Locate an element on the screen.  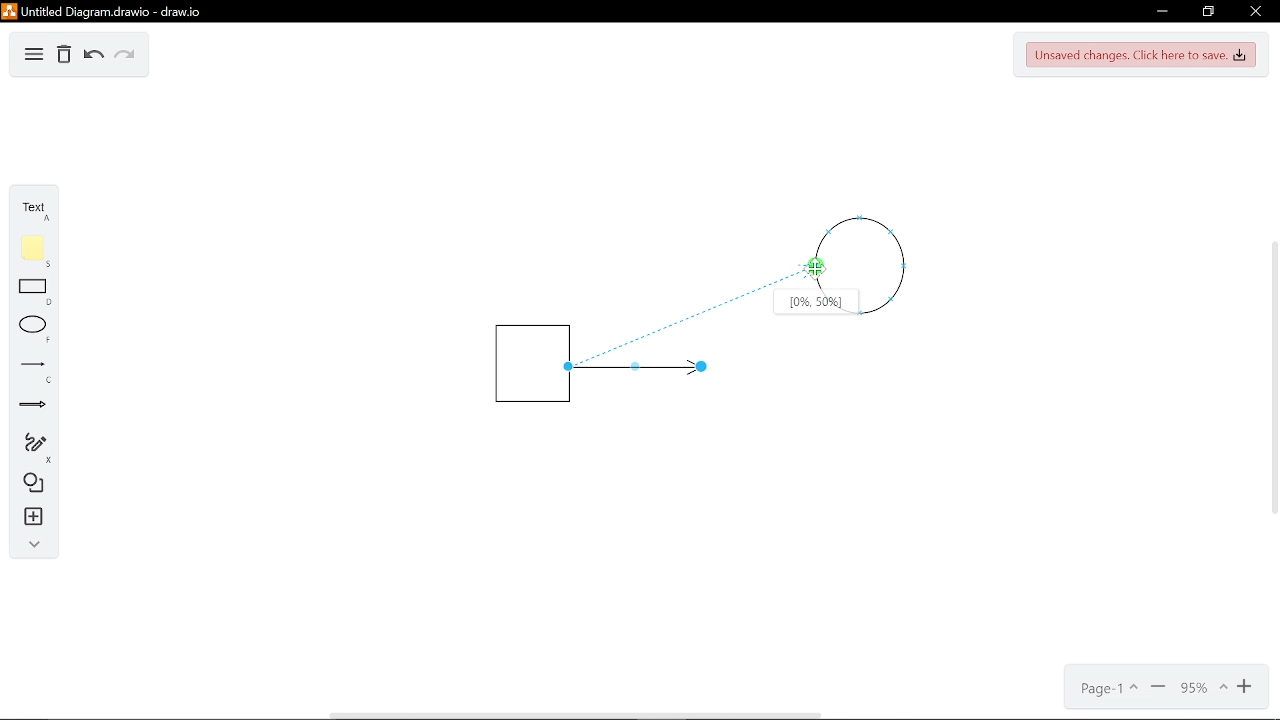
Note is located at coordinates (27, 249).